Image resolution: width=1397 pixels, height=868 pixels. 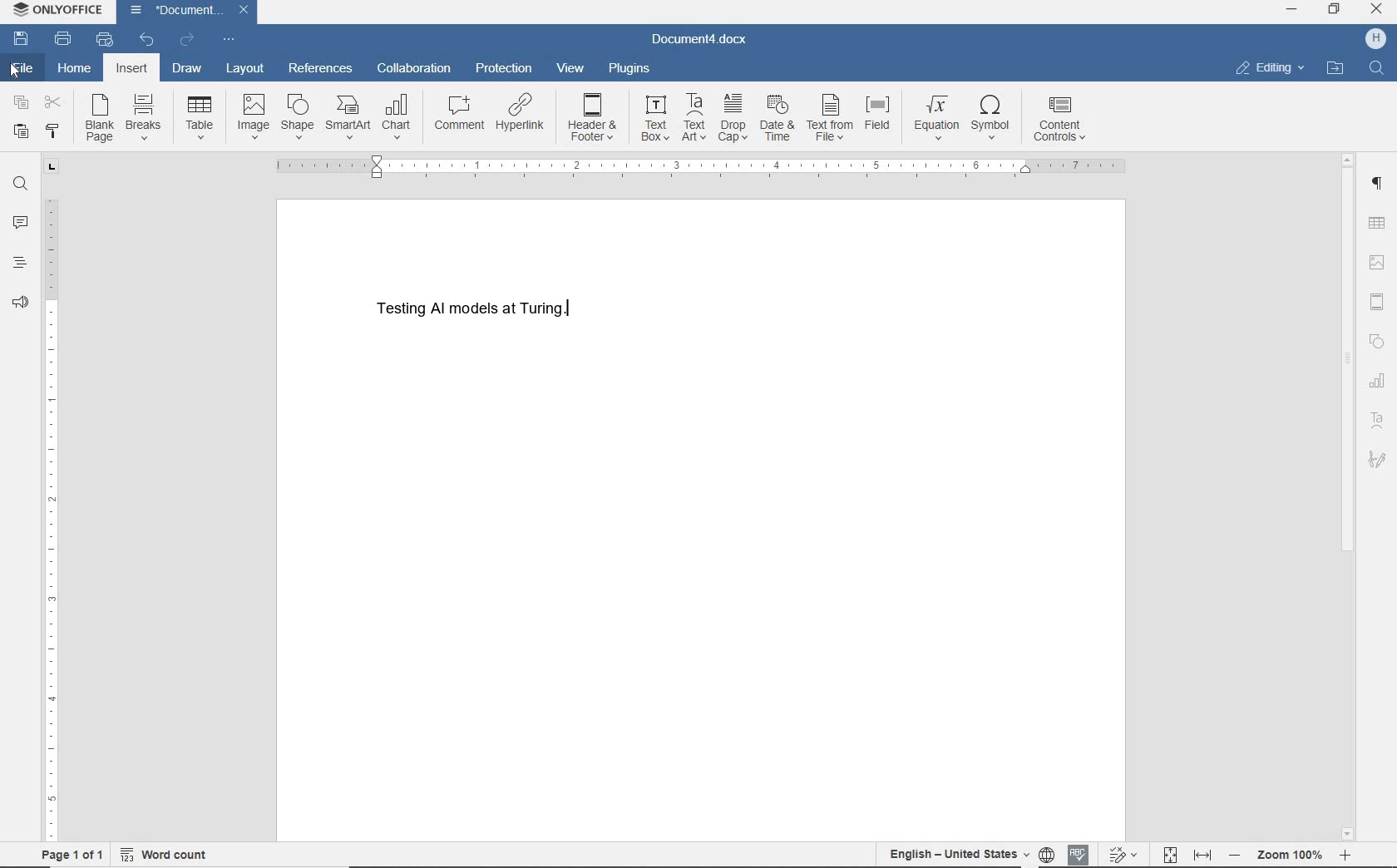 What do you see at coordinates (876, 121) in the screenshot?
I see `field` at bounding box center [876, 121].